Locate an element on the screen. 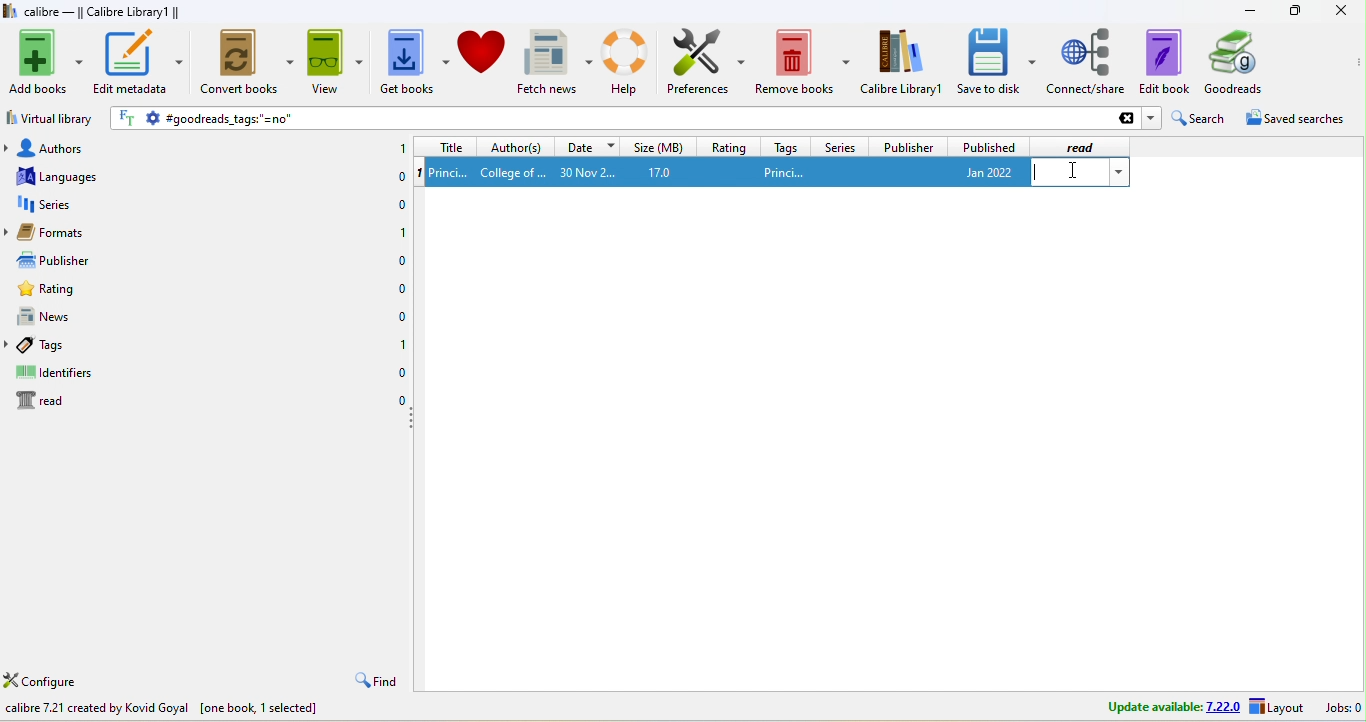  17.0 is located at coordinates (665, 172).